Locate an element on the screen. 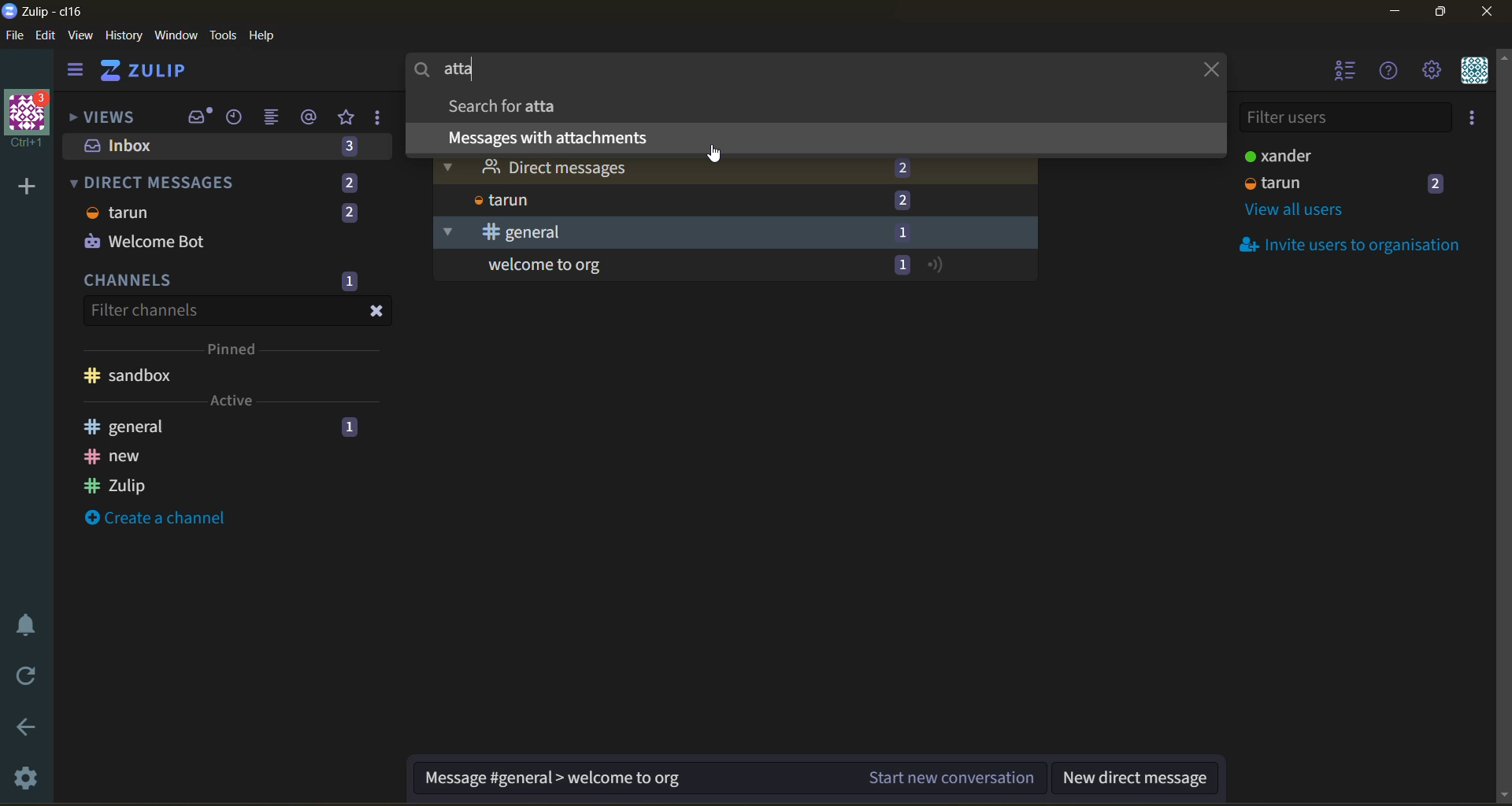  Start new conversation is located at coordinates (953, 776).